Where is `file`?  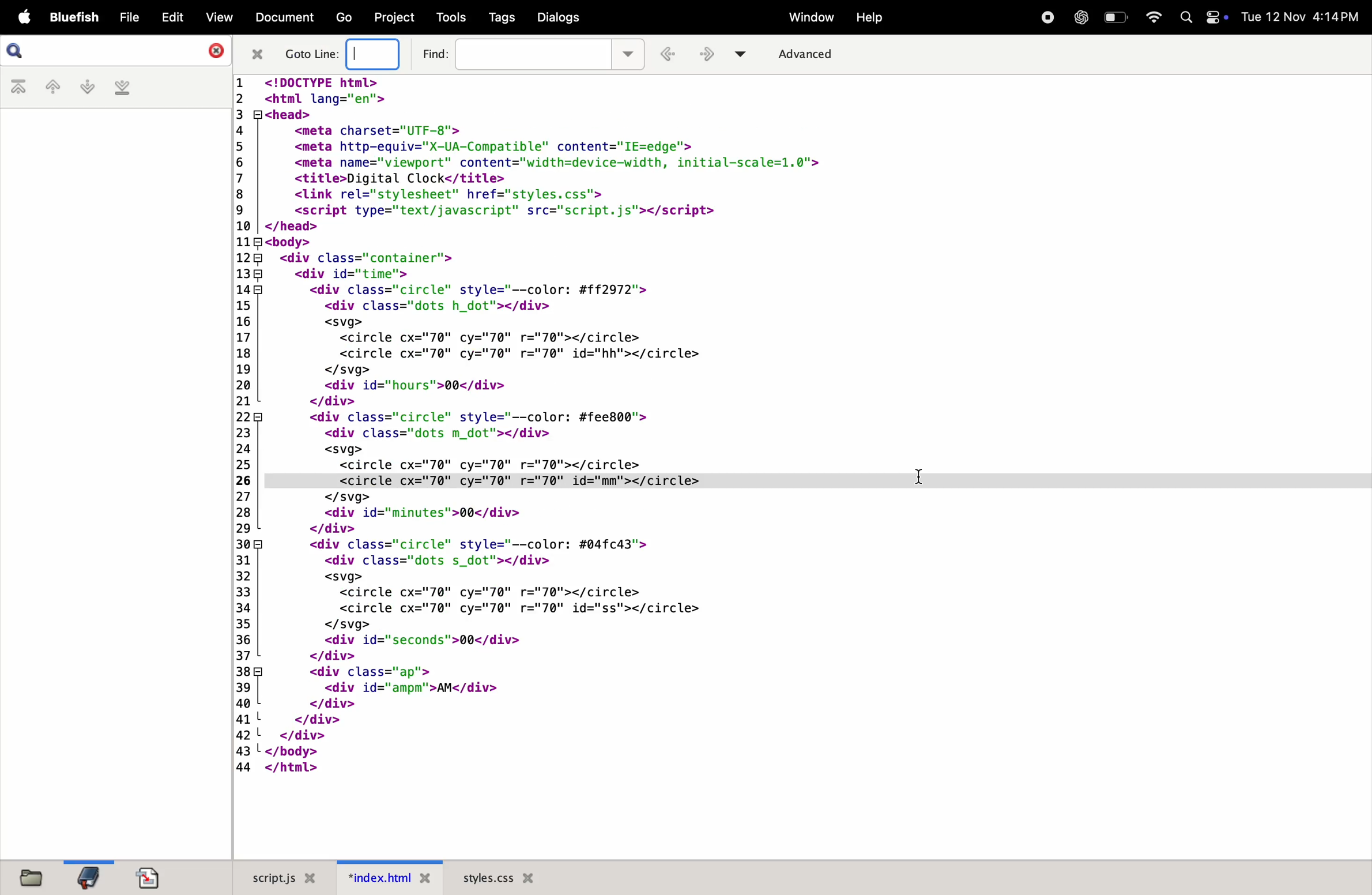 file is located at coordinates (125, 18).